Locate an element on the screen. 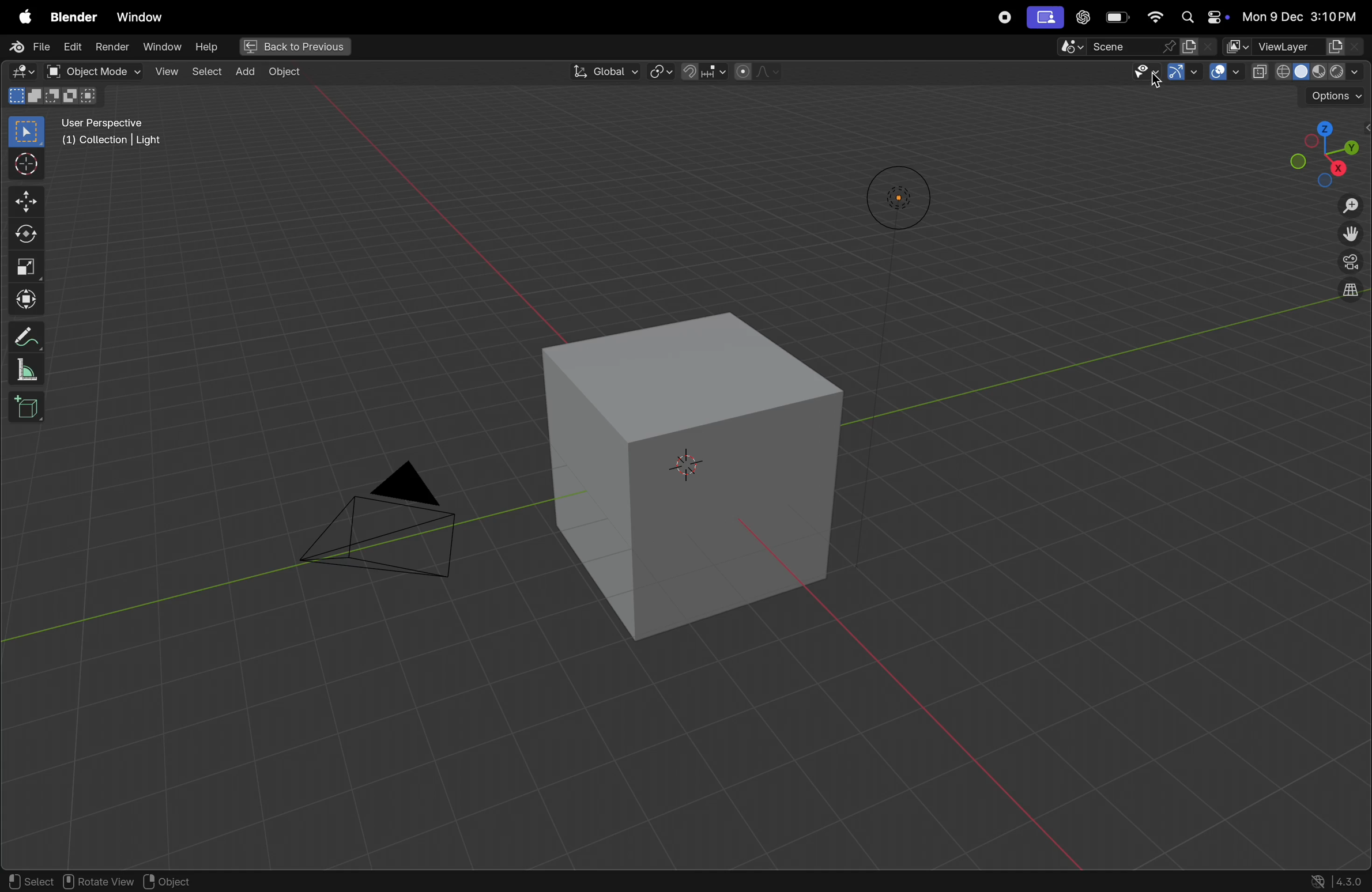 This screenshot has height=892, width=1372. help is located at coordinates (206, 48).